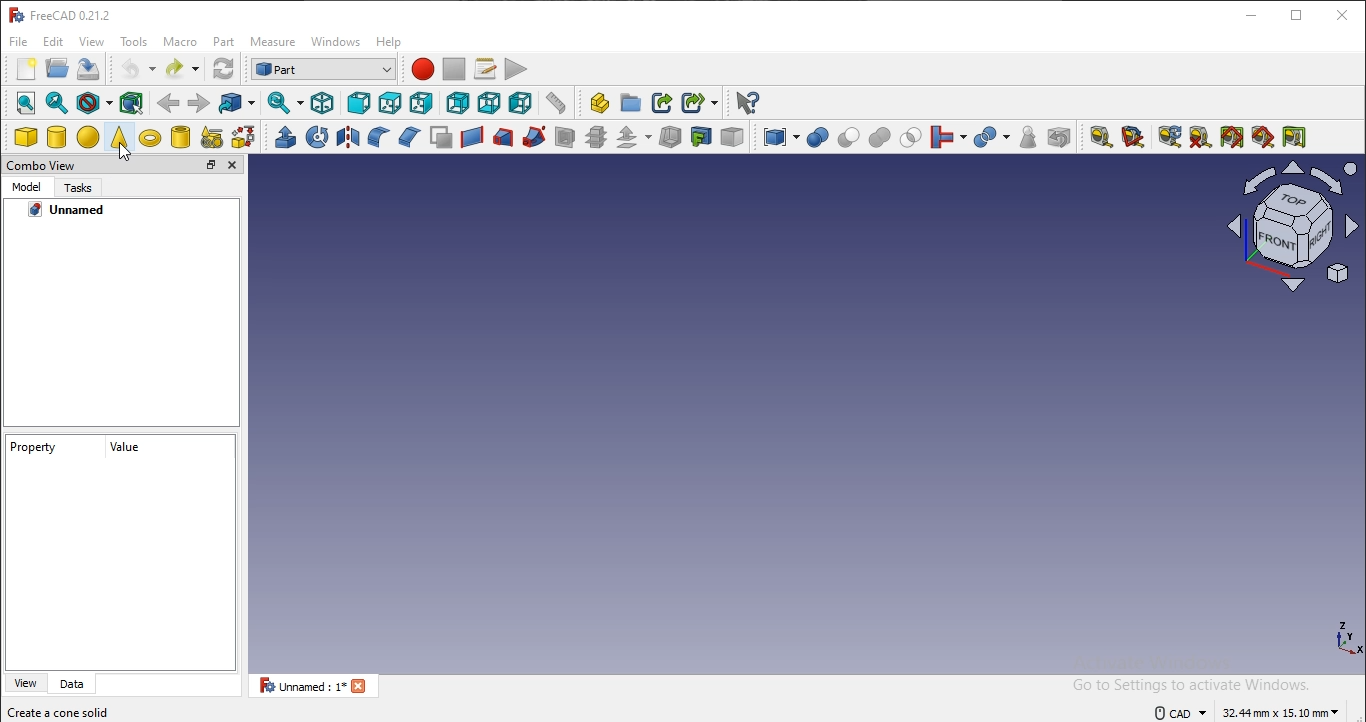 Image resolution: width=1366 pixels, height=722 pixels. I want to click on cube, so click(25, 137).